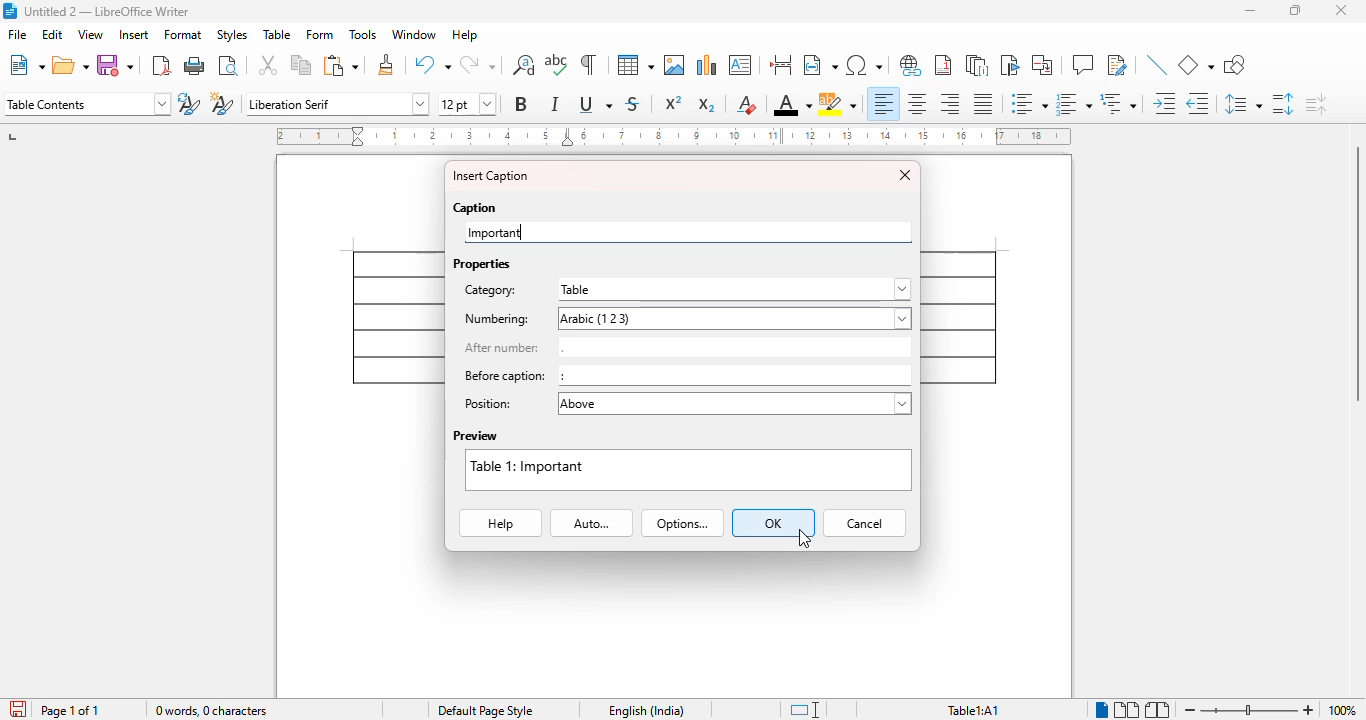 Image resolution: width=1366 pixels, height=720 pixels. I want to click on form, so click(319, 34).